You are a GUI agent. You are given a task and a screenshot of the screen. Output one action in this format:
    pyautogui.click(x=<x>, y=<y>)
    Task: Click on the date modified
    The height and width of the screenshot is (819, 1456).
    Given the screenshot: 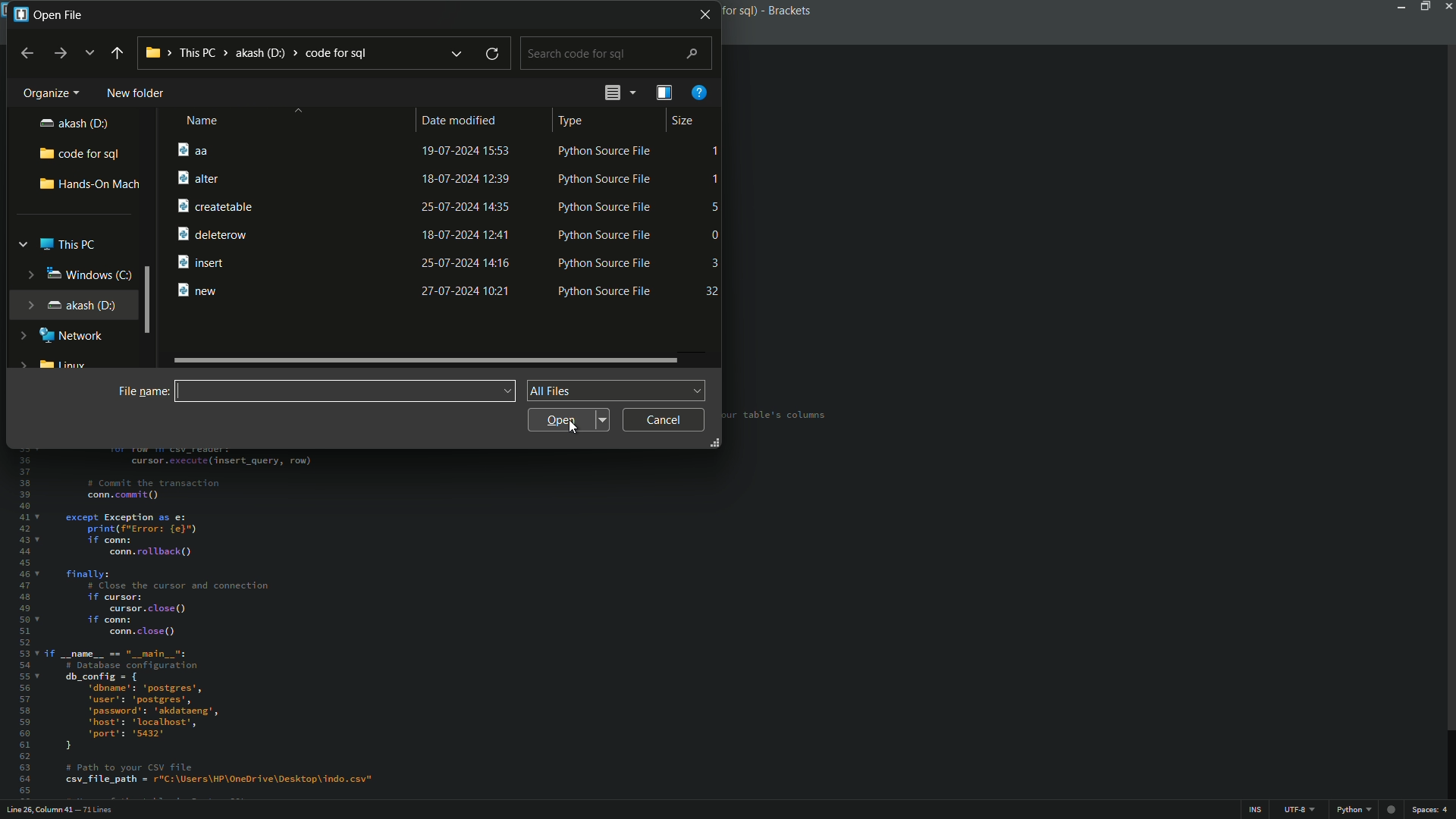 What is the action you would take?
    pyautogui.click(x=460, y=121)
    